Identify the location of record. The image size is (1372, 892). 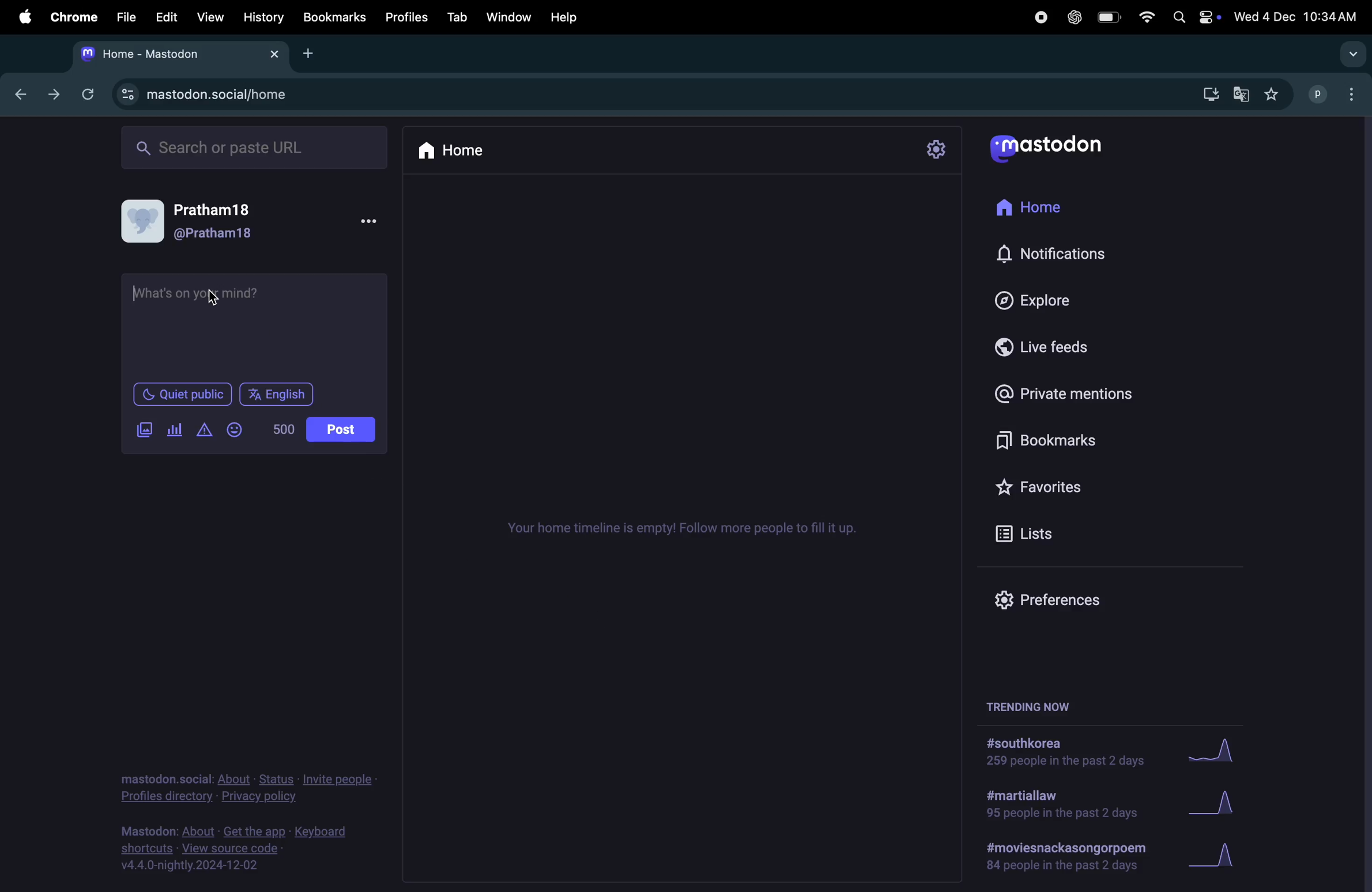
(1036, 18).